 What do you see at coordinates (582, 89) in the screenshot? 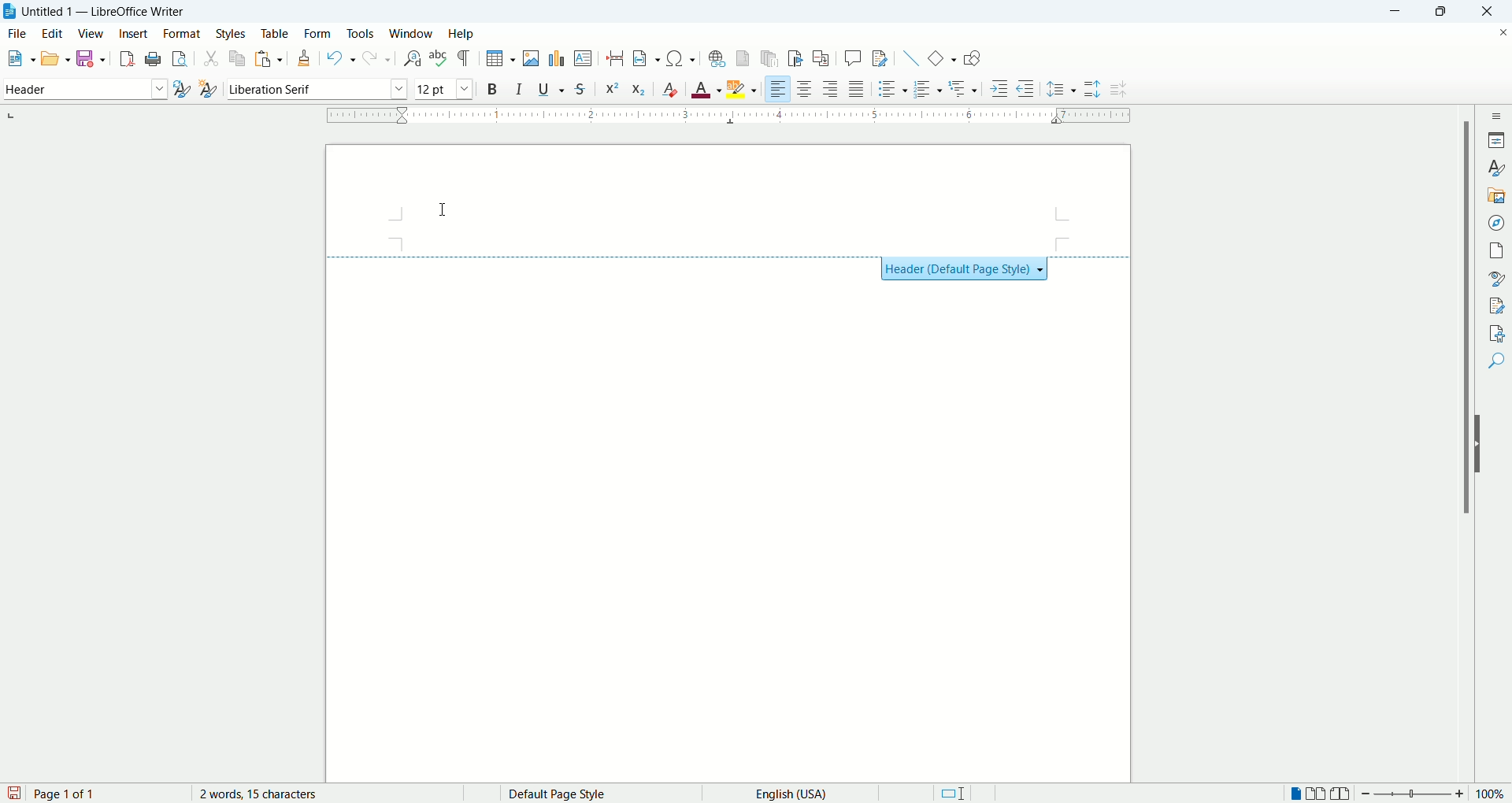
I see `strikethrough` at bounding box center [582, 89].